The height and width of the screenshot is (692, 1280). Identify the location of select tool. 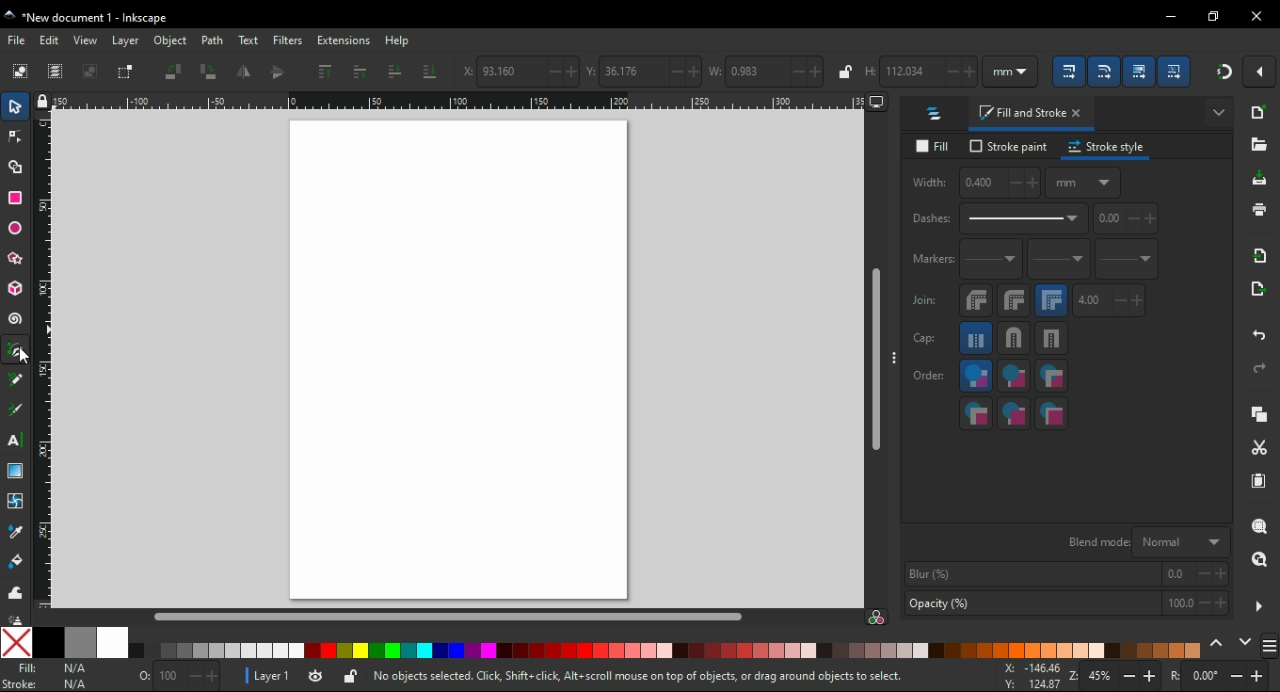
(15, 105).